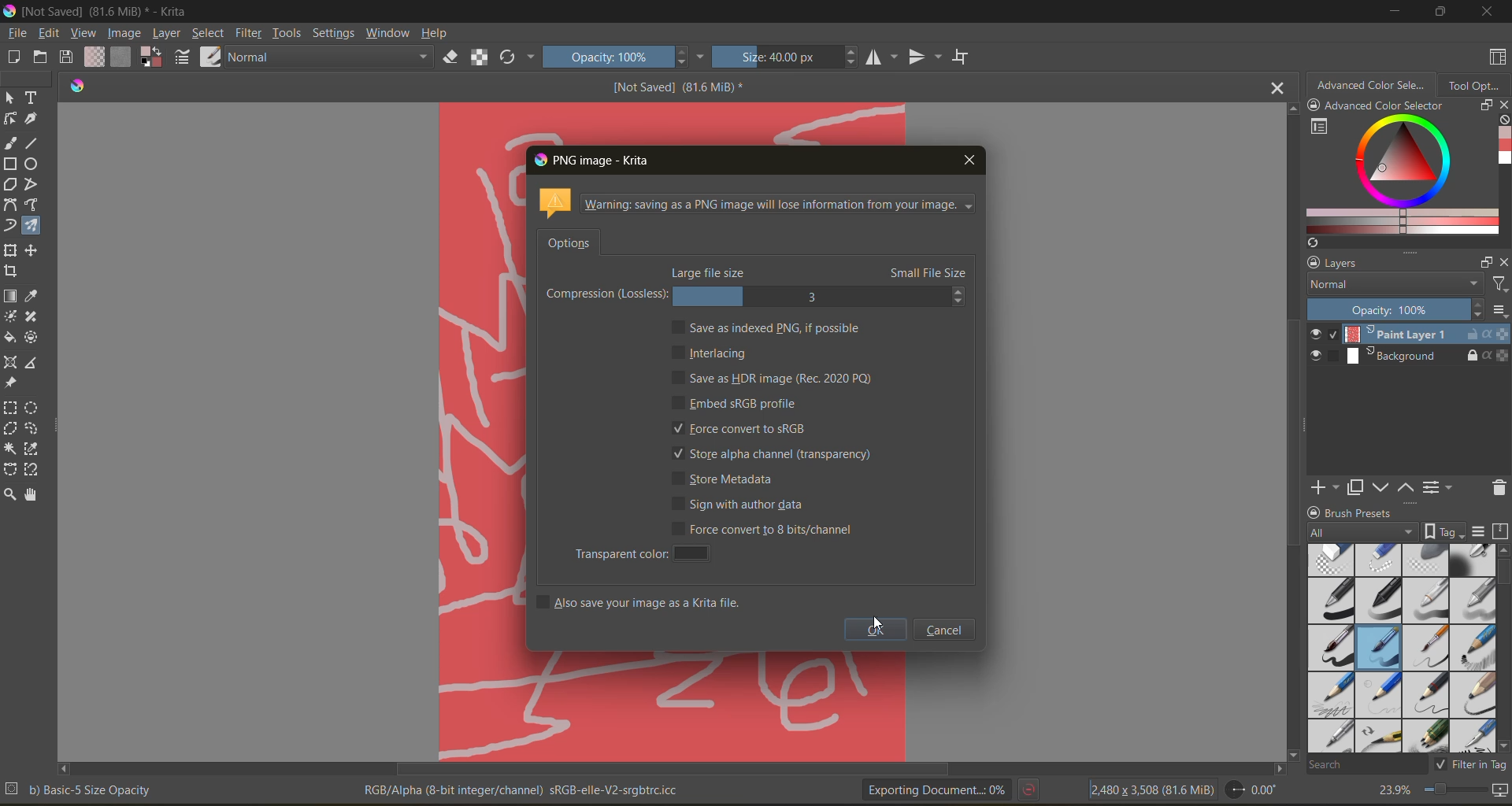  Describe the element at coordinates (119, 57) in the screenshot. I see `fill patterns` at that location.